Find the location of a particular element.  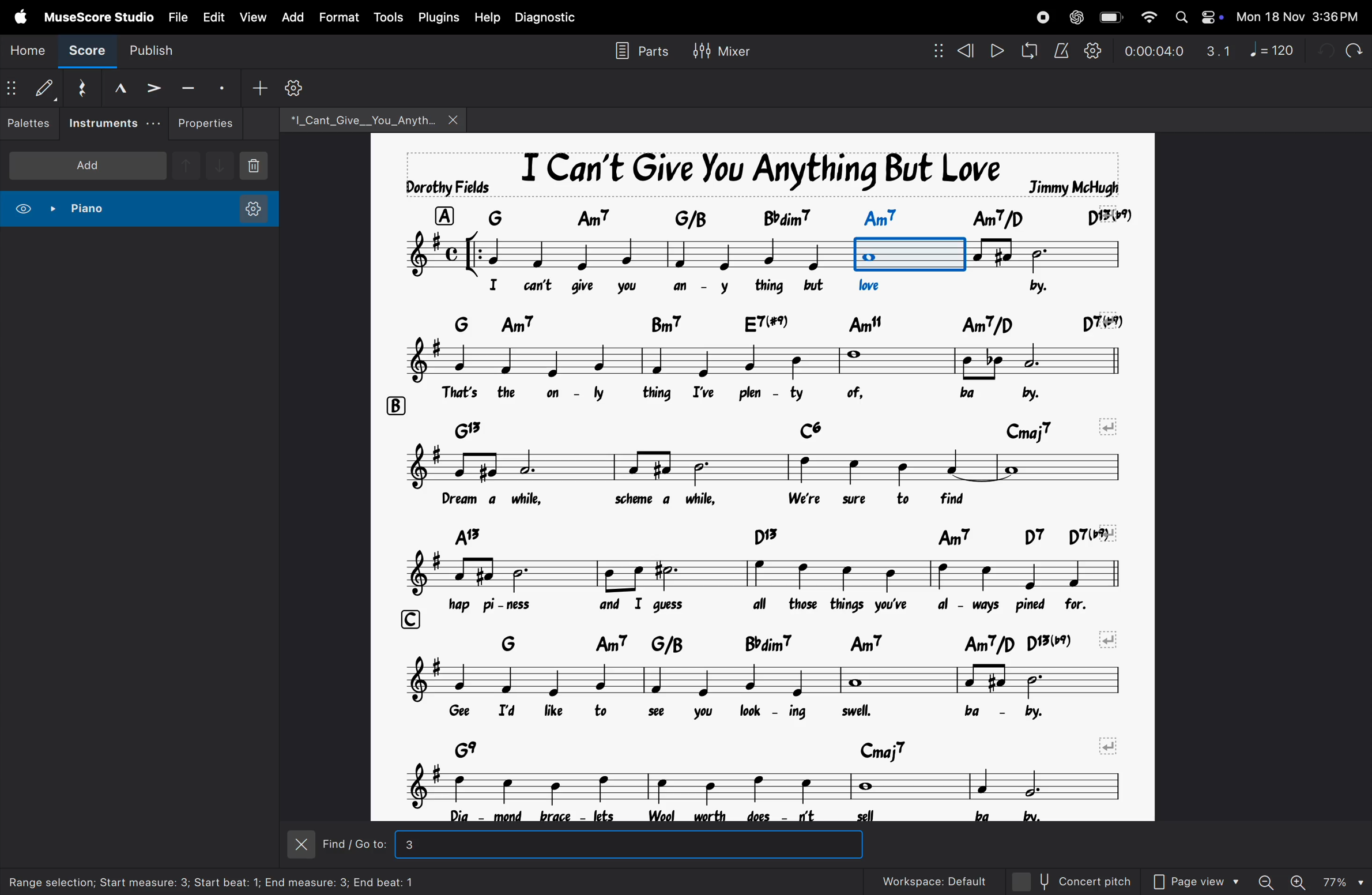

chatgpt is located at coordinates (1075, 18).